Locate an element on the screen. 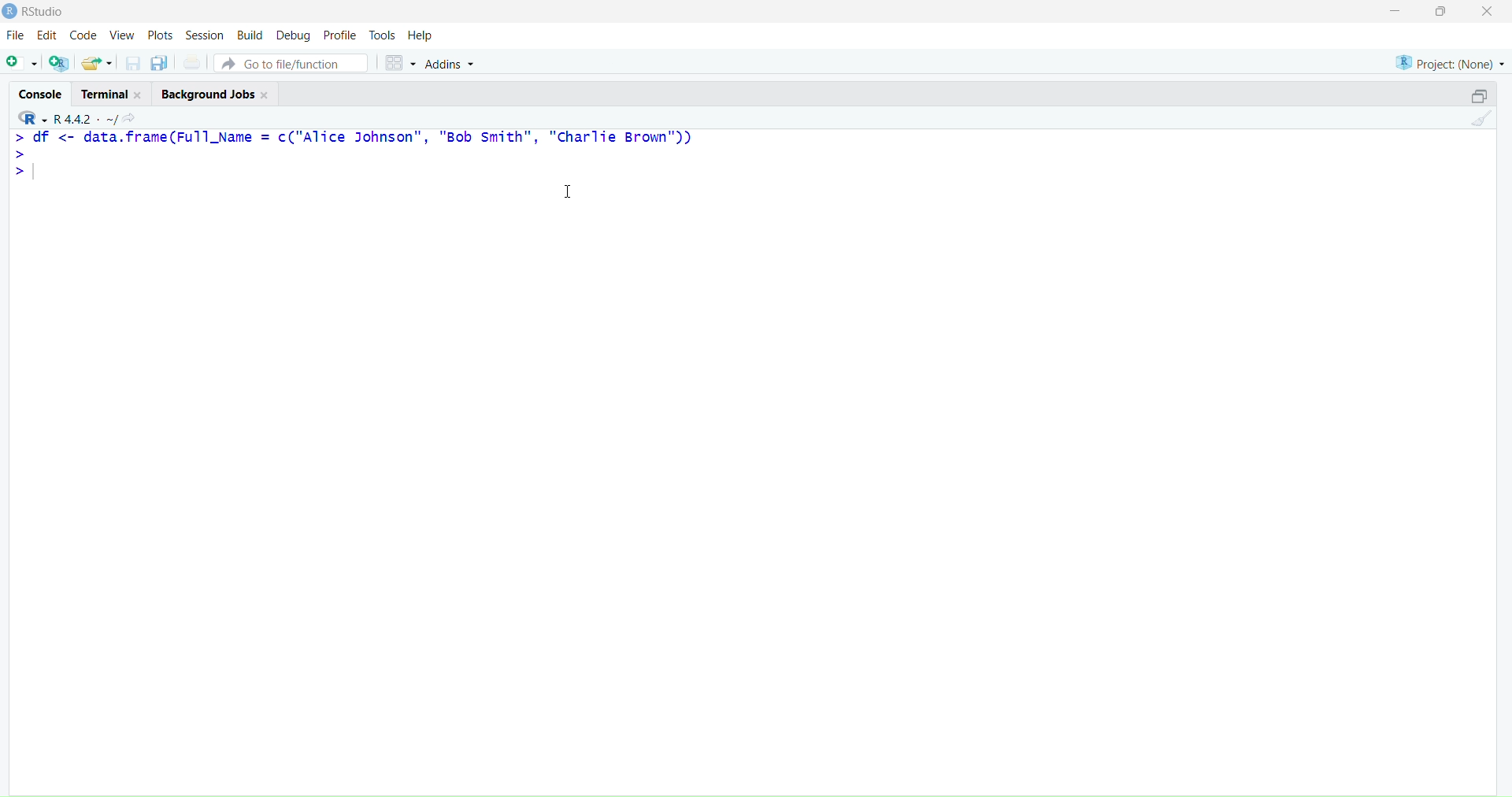 The width and height of the screenshot is (1512, 797). Save all open documents (Ctrl + Alt + S) is located at coordinates (159, 63).